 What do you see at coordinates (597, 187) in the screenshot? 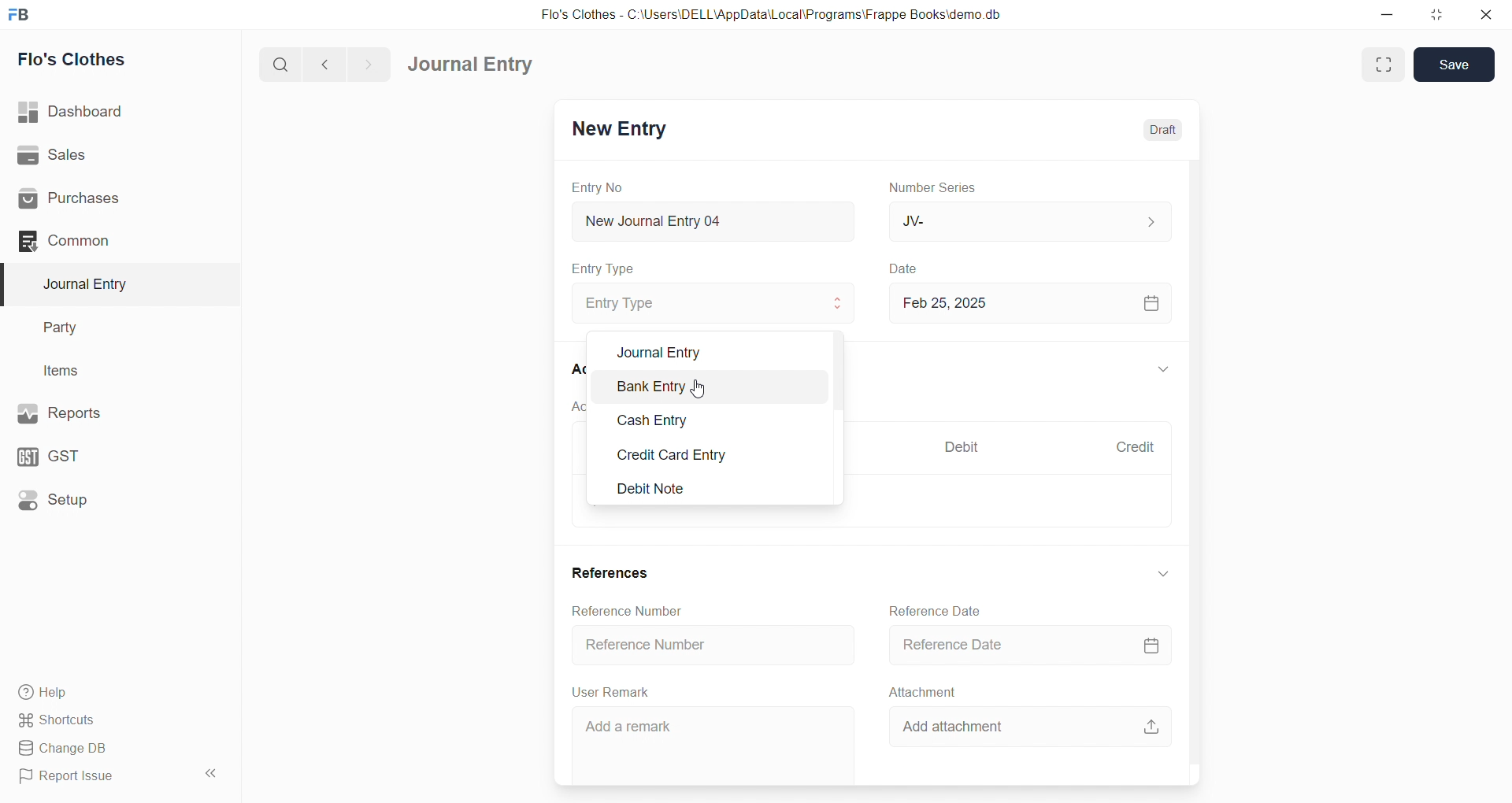
I see `Entry No.` at bounding box center [597, 187].